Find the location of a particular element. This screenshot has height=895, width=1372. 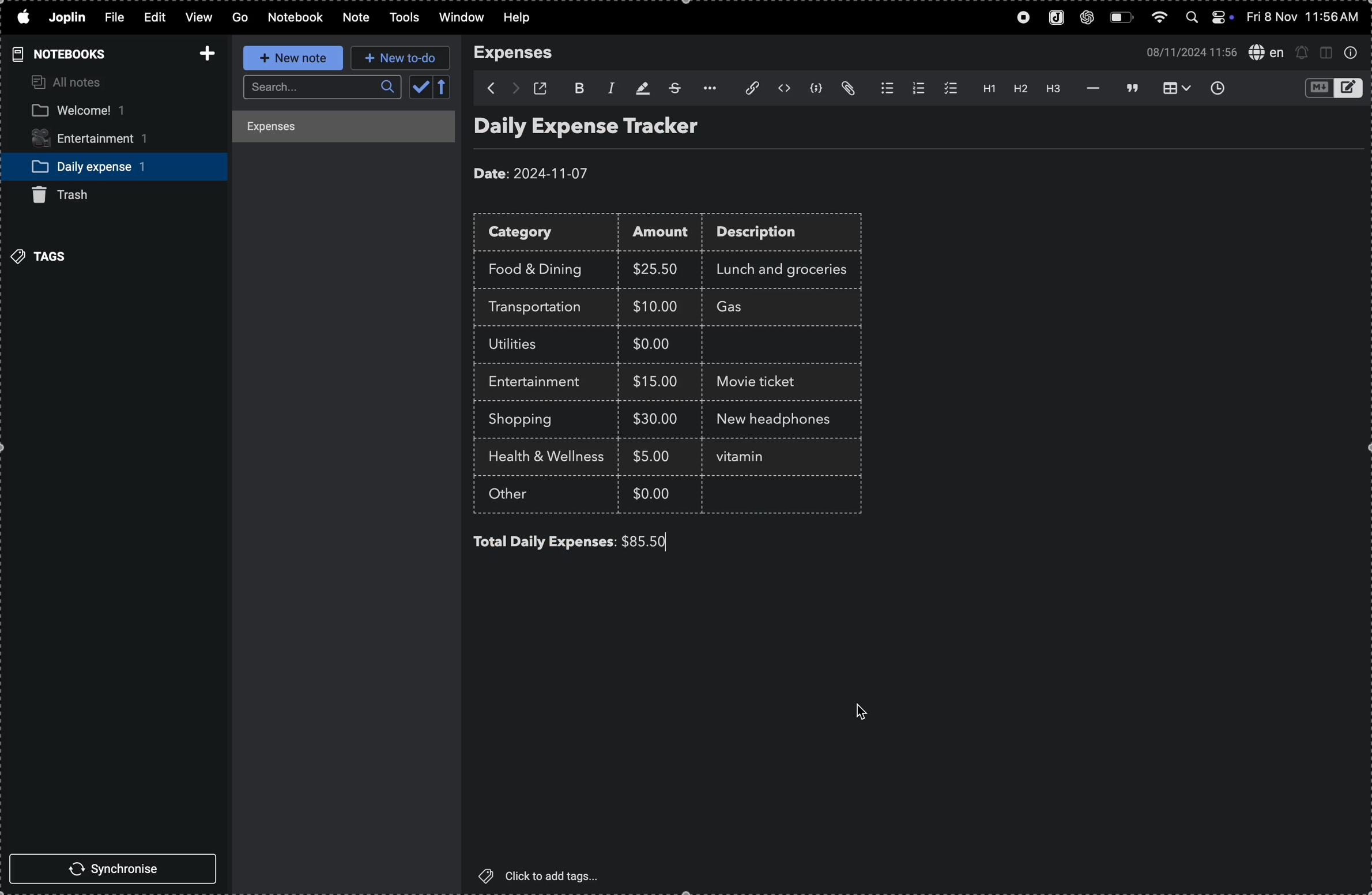

Daily expense tracker is located at coordinates (608, 129).